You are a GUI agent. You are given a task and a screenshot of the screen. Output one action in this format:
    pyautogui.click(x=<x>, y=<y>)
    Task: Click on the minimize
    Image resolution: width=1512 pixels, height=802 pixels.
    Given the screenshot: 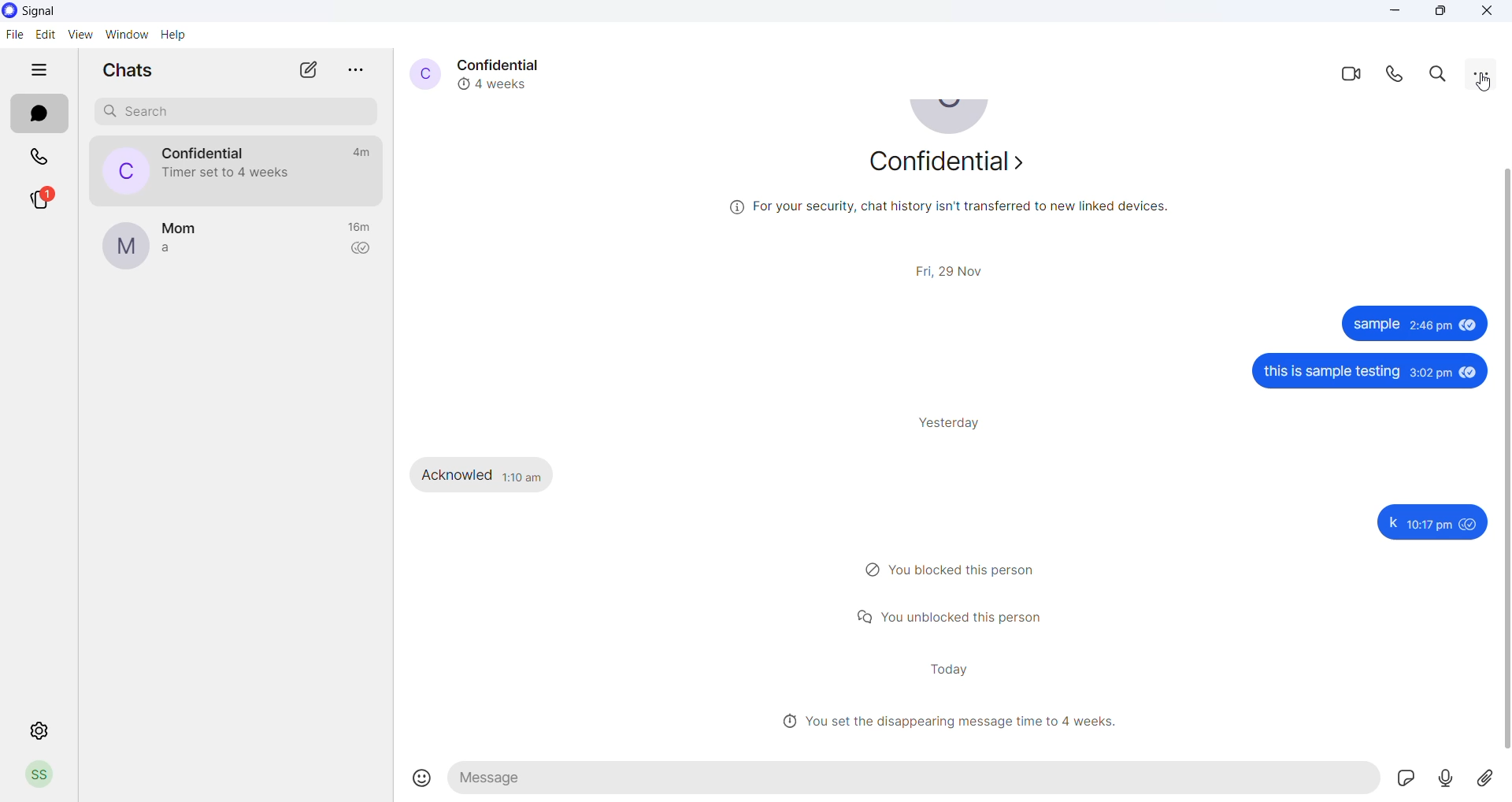 What is the action you would take?
    pyautogui.click(x=1398, y=12)
    